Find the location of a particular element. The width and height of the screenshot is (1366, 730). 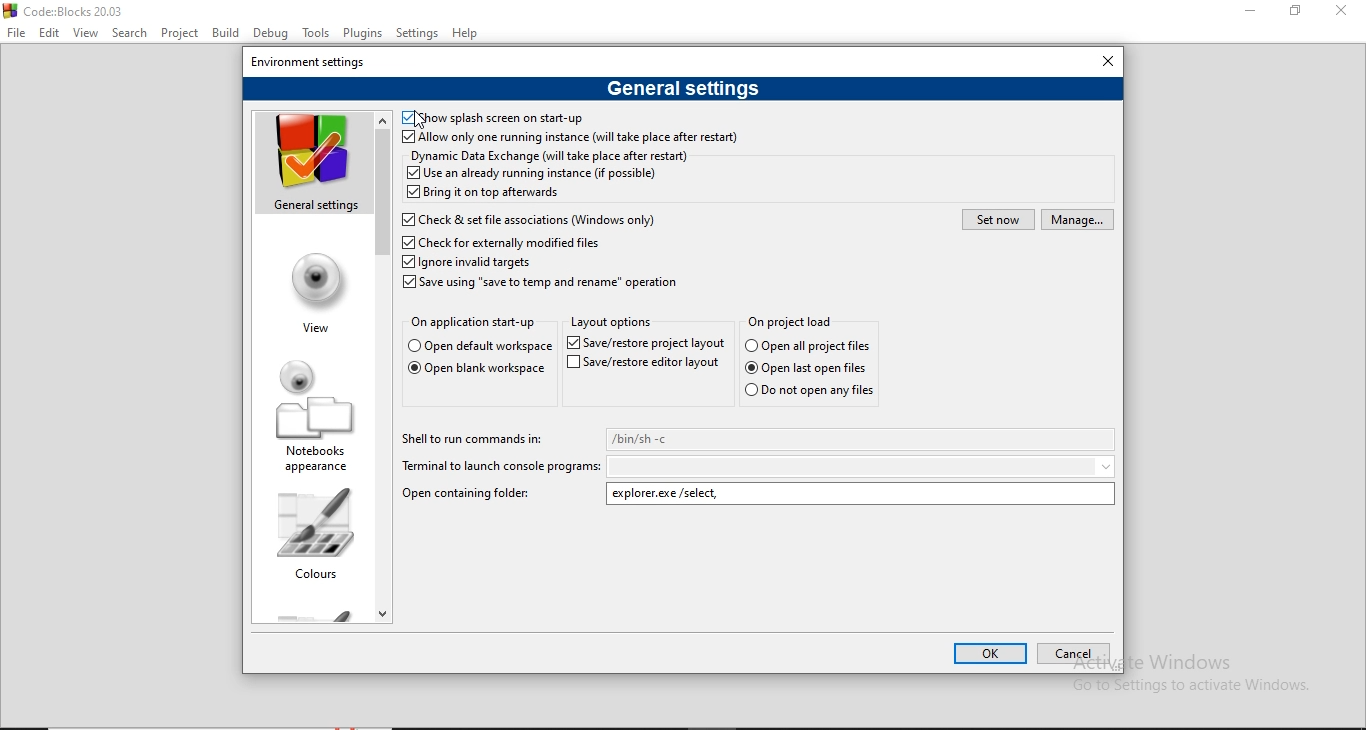

Shell to run commands in is located at coordinates (471, 442).